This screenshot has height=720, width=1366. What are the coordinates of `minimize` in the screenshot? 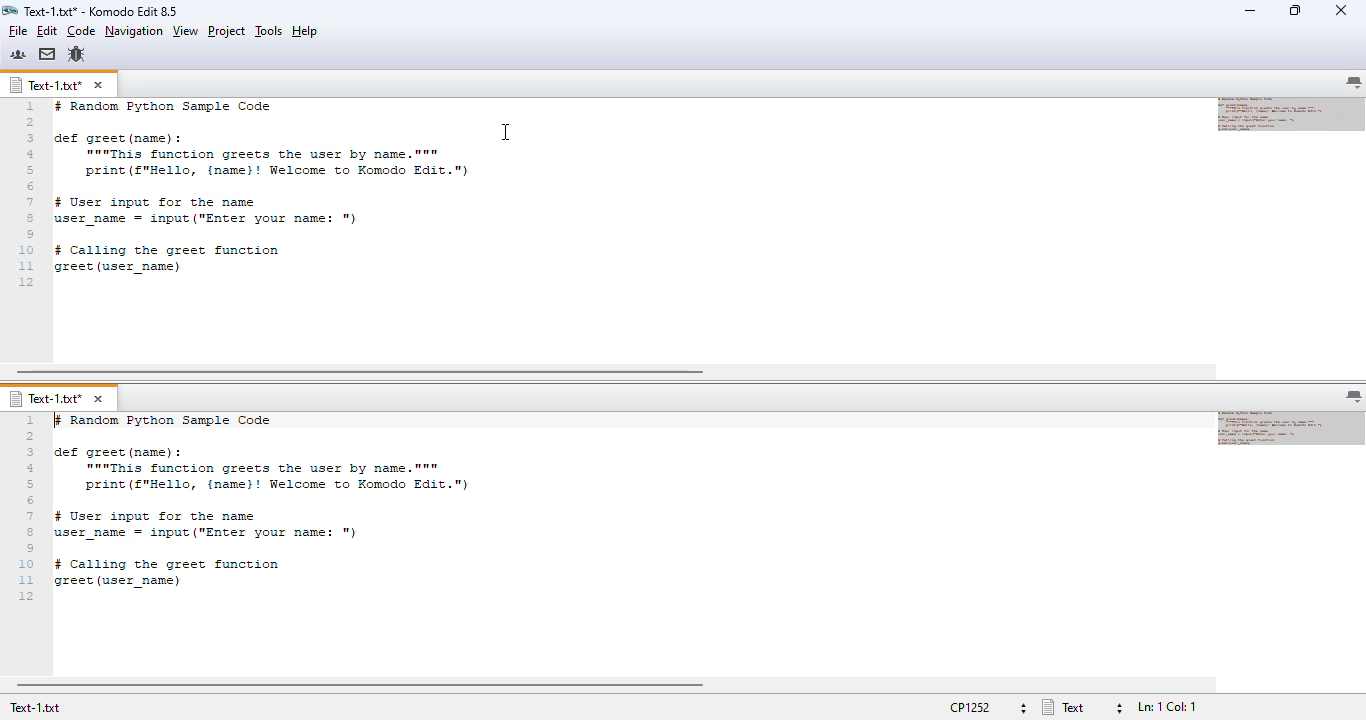 It's located at (1249, 10).